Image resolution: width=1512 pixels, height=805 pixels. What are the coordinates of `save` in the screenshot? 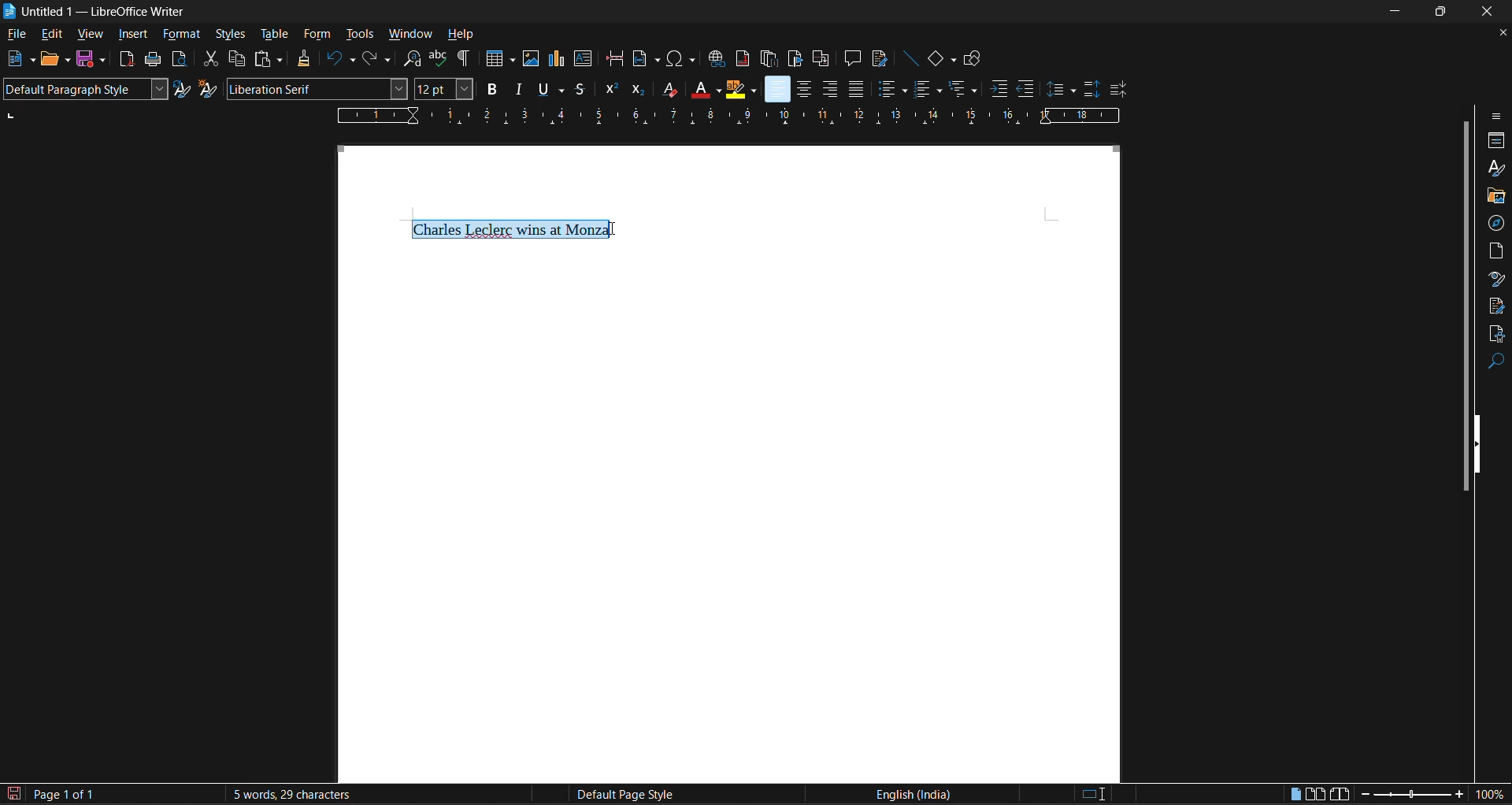 It's located at (94, 61).